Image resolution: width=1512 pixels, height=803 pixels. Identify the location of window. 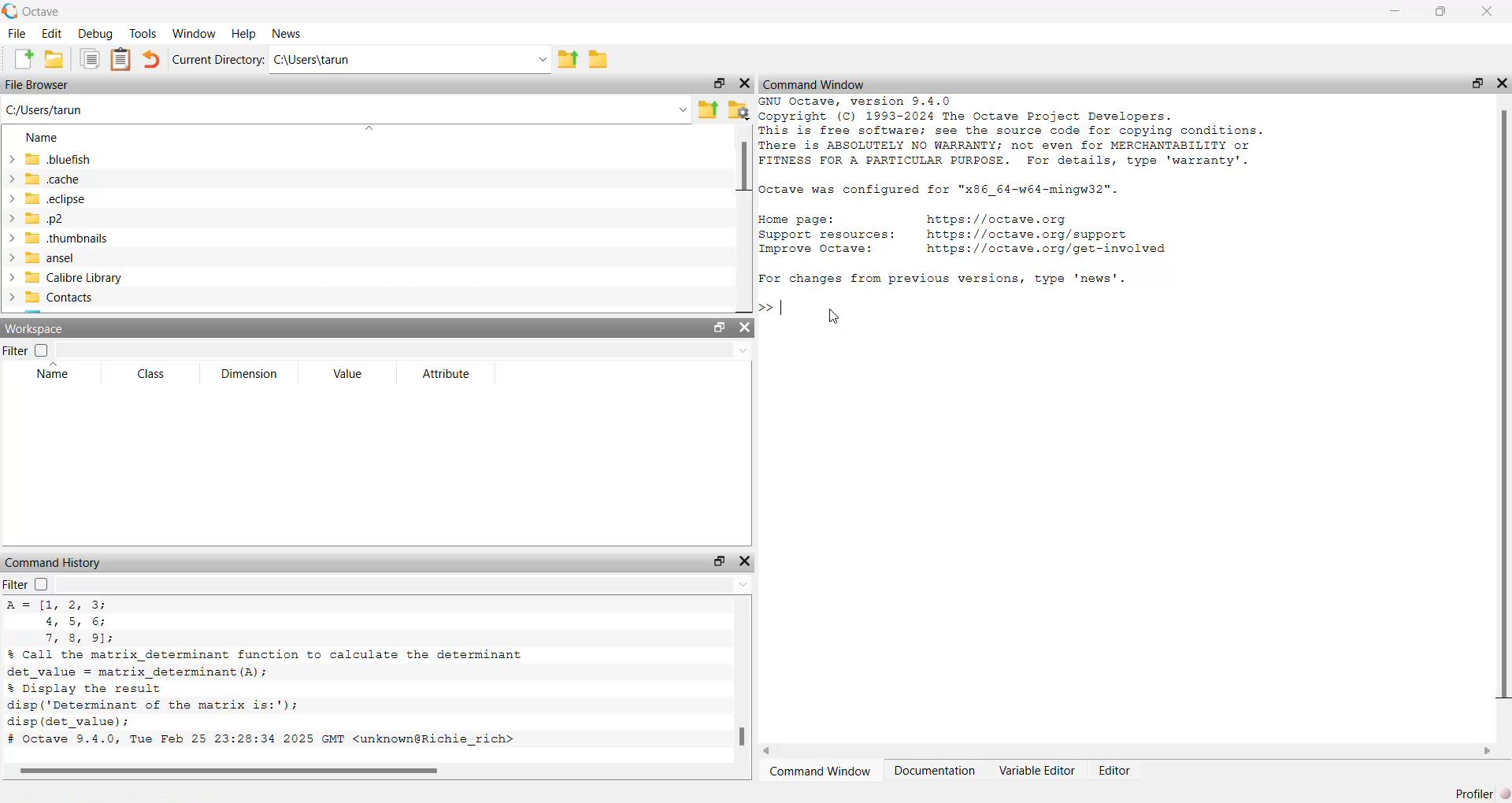
(195, 32).